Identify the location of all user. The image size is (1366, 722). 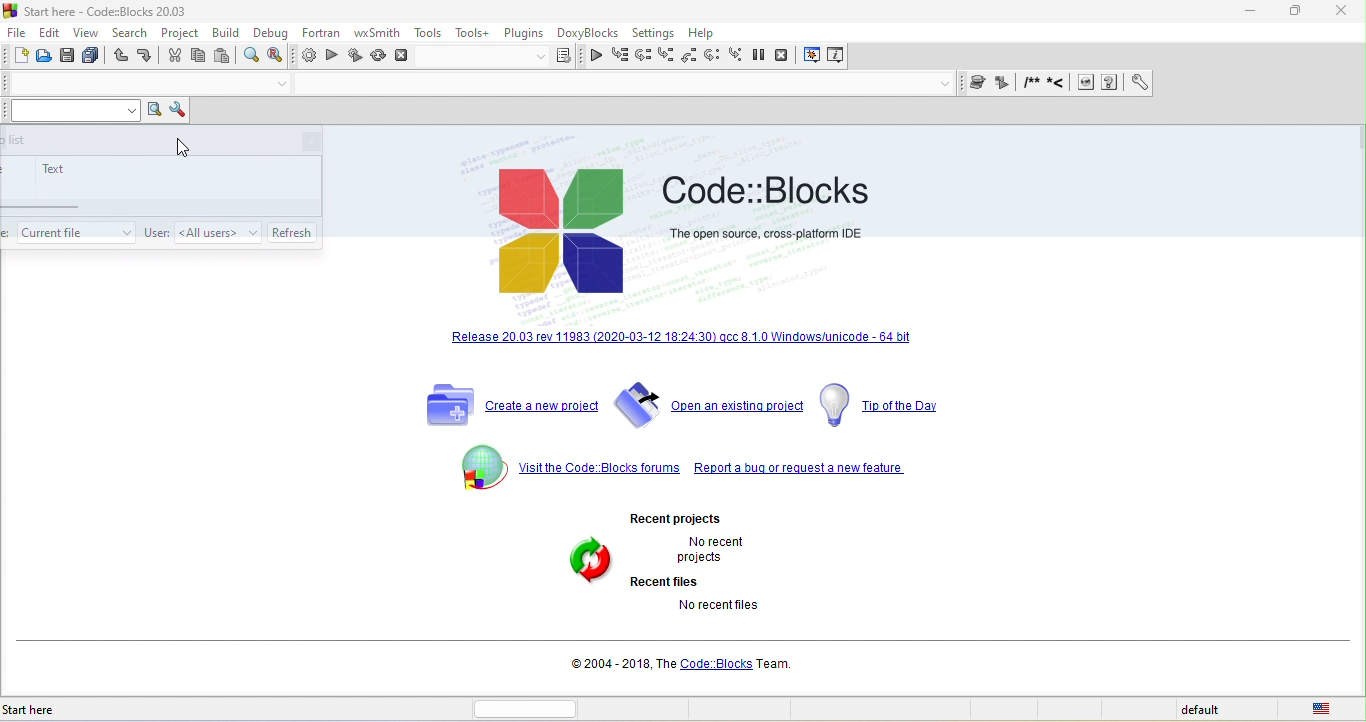
(217, 231).